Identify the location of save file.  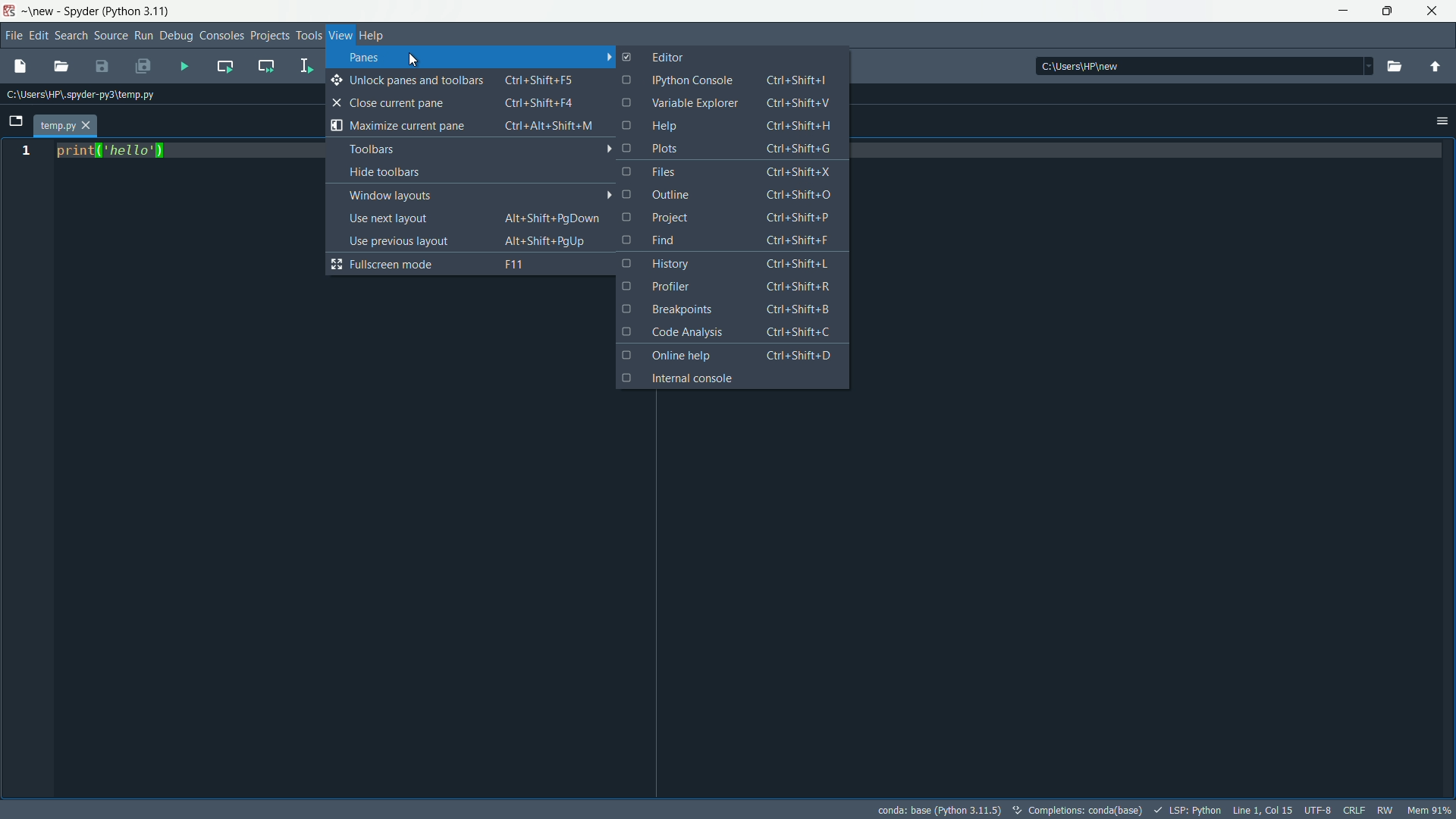
(102, 66).